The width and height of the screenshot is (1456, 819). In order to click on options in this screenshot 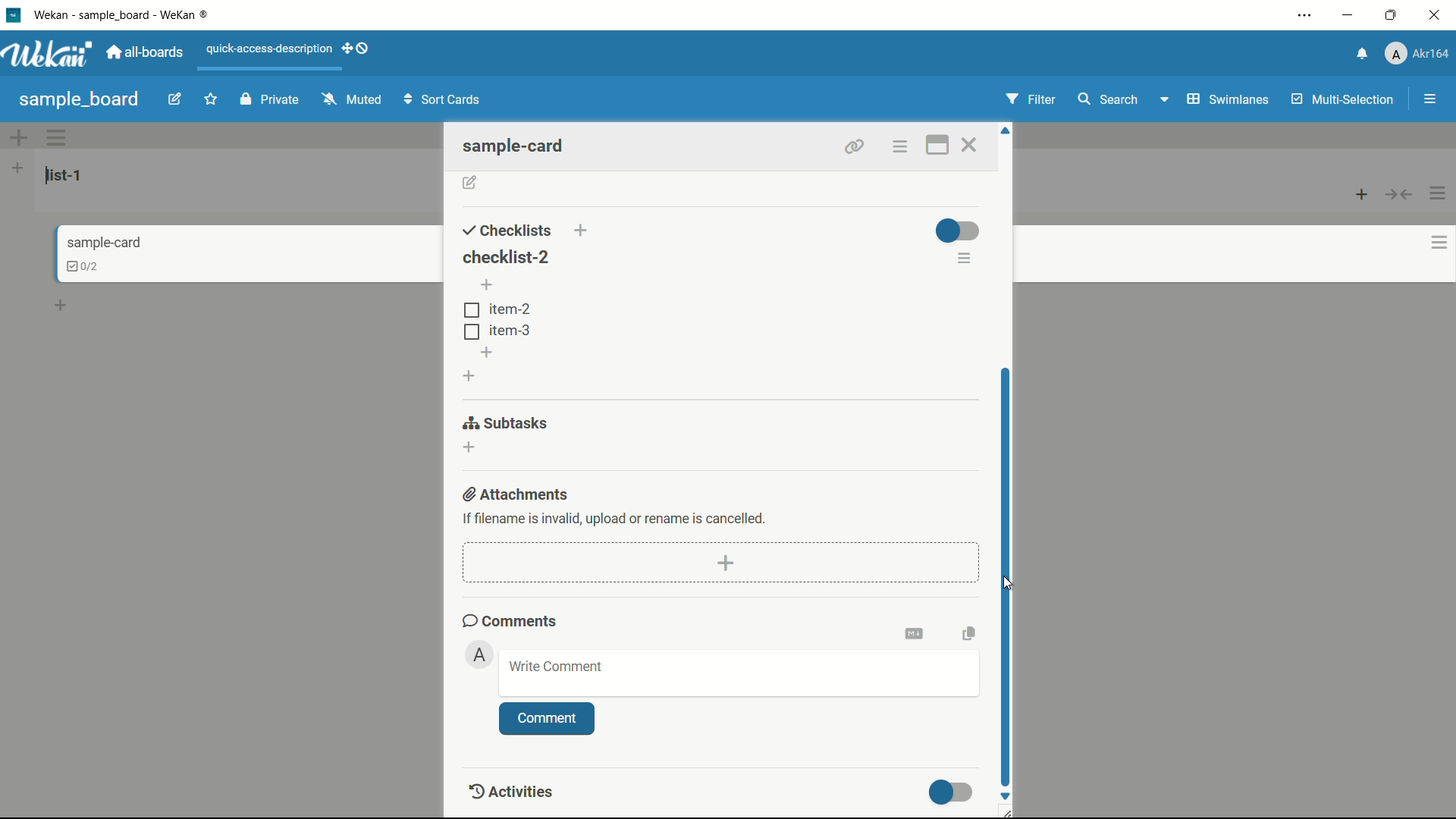, I will do `click(901, 146)`.